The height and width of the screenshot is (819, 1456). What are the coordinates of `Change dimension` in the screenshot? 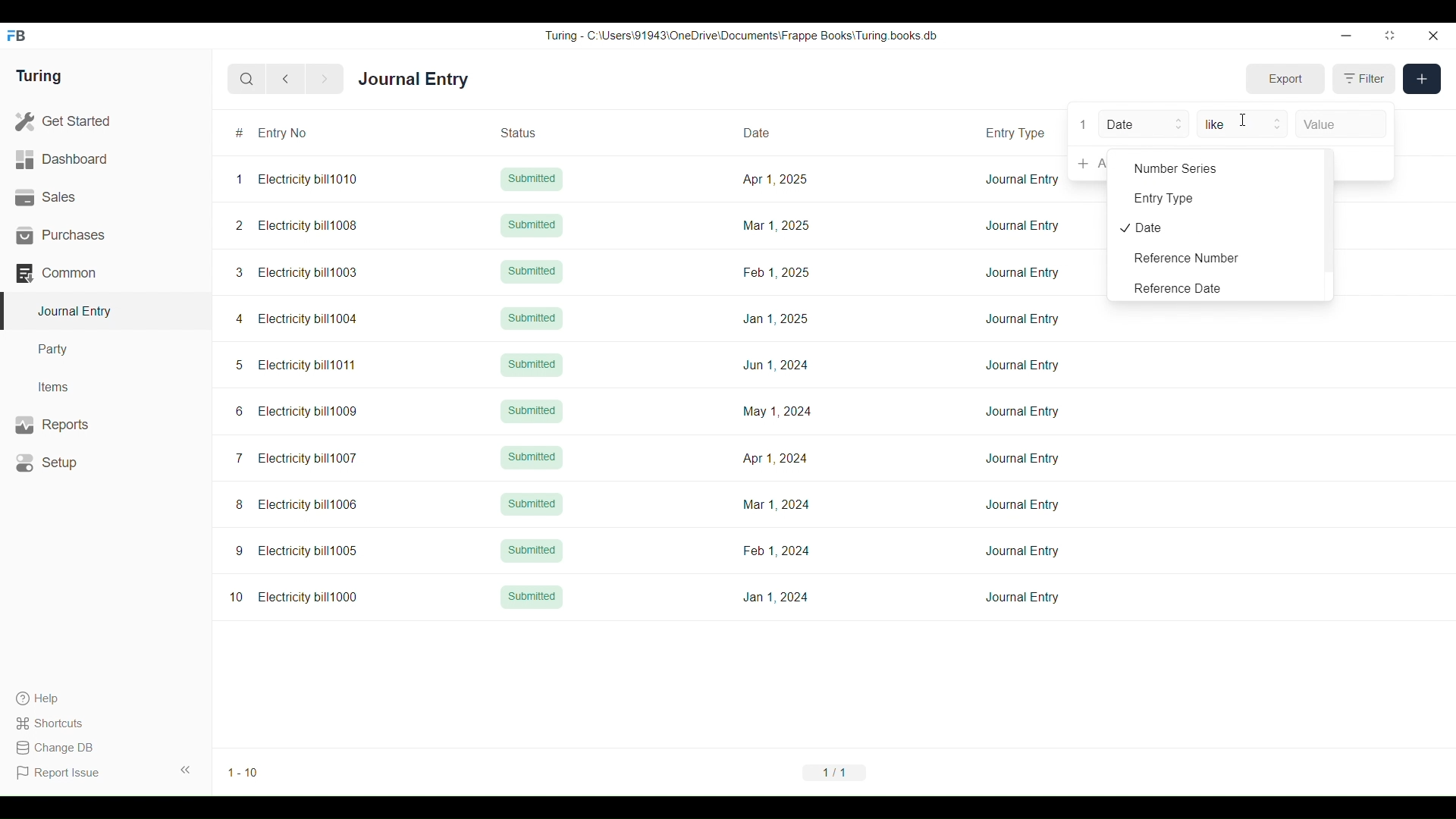 It's located at (1390, 35).